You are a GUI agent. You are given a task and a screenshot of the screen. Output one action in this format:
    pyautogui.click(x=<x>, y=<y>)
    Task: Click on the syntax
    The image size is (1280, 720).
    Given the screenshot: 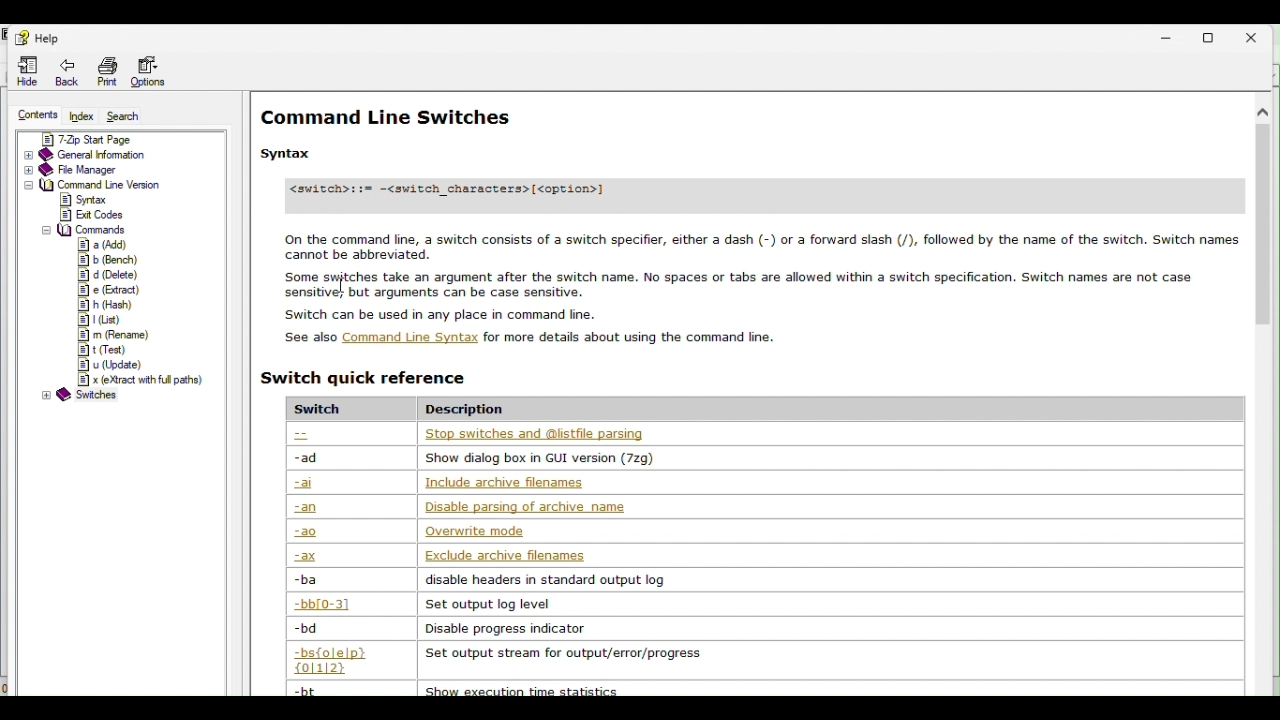 What is the action you would take?
    pyautogui.click(x=92, y=200)
    